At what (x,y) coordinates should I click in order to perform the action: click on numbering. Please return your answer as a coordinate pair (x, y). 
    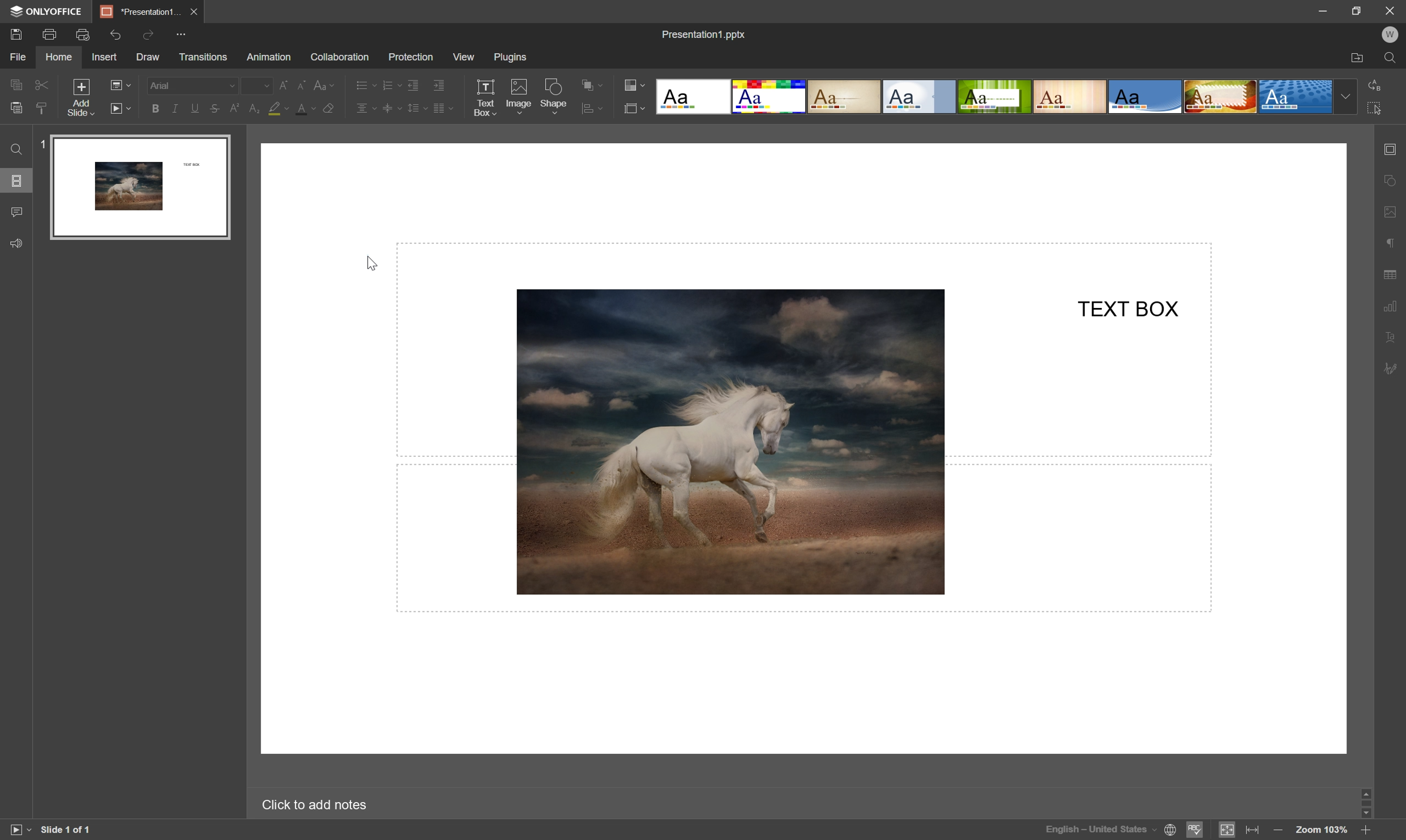
    Looking at the image, I should click on (390, 85).